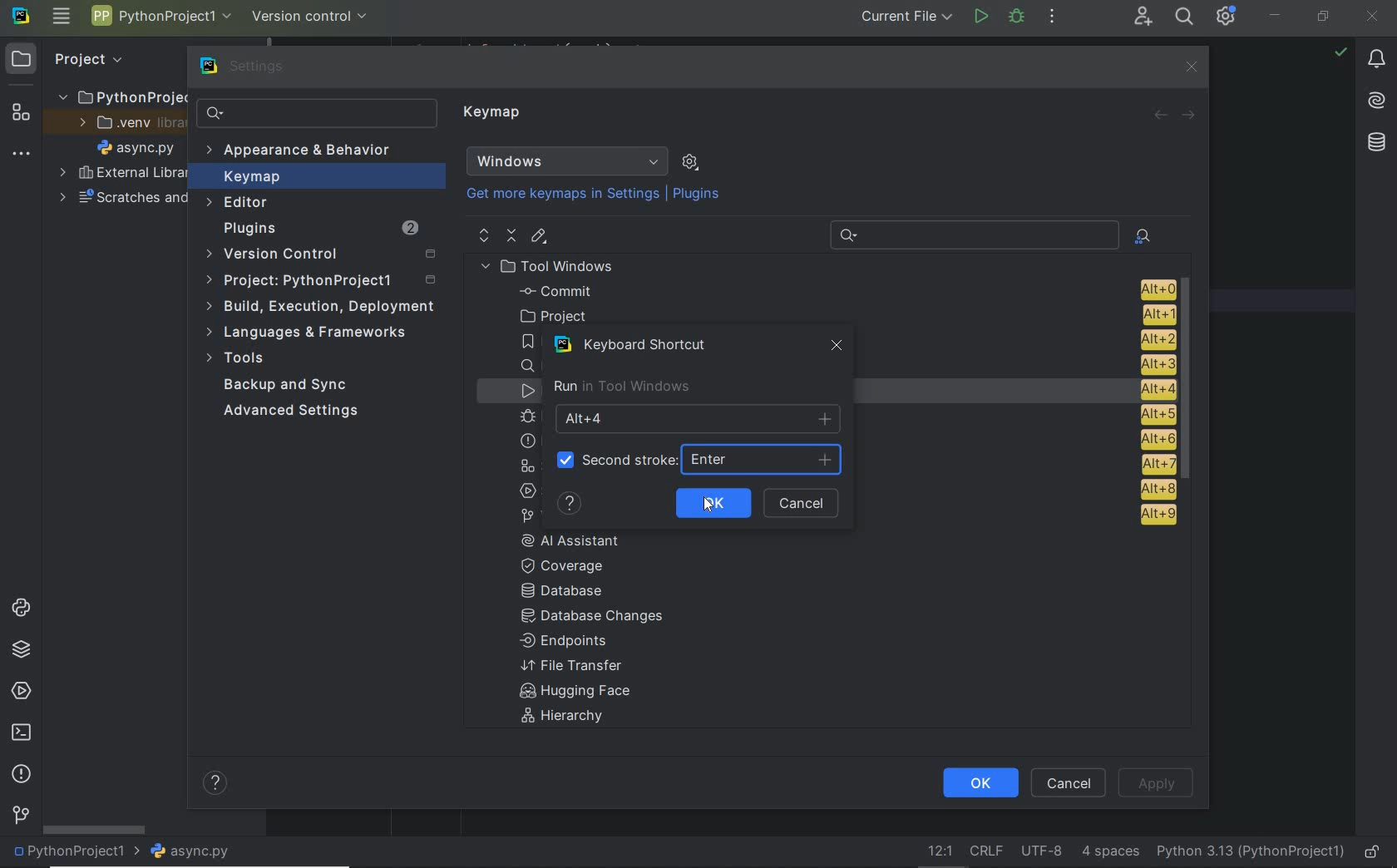 The height and width of the screenshot is (868, 1397). Describe the element at coordinates (320, 255) in the screenshot. I see `Version Control` at that location.